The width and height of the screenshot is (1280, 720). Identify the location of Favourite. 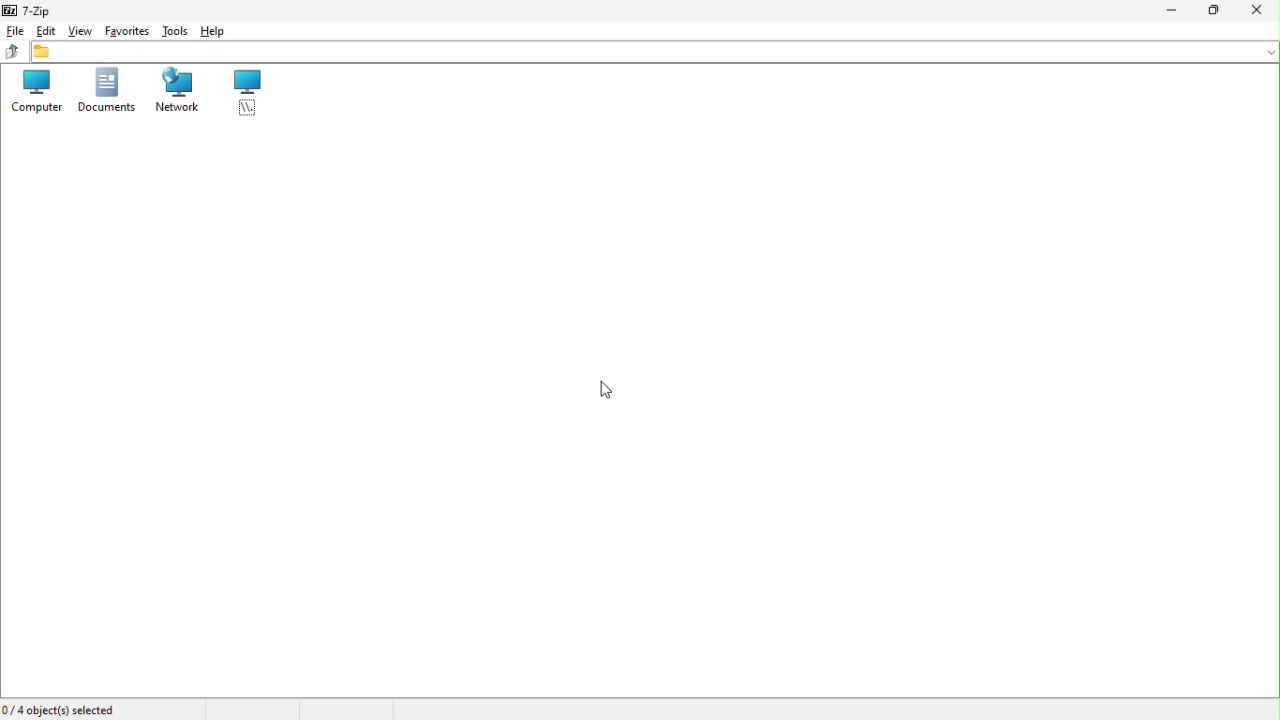
(127, 30).